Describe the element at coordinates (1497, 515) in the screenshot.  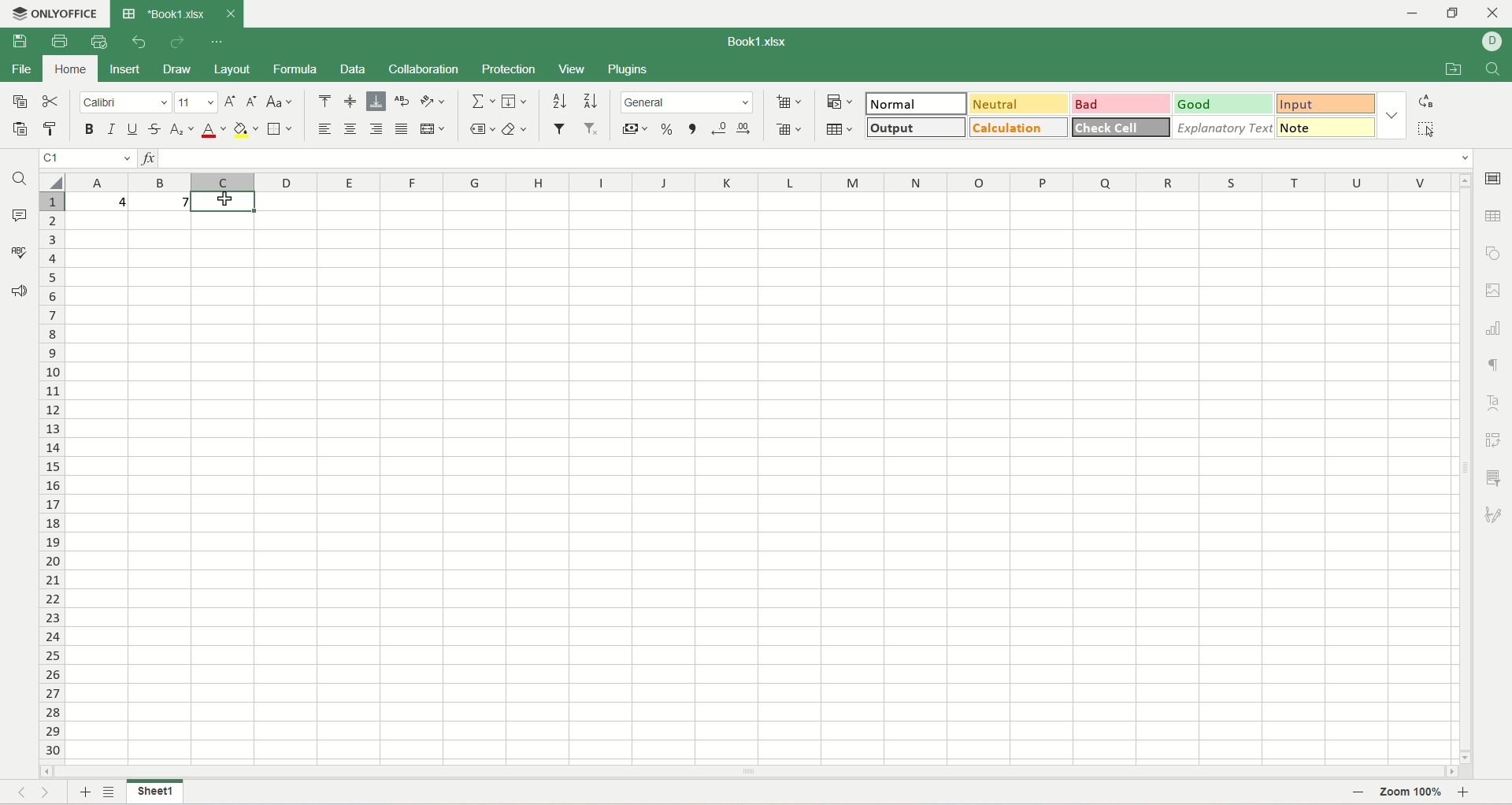
I see `signature settings` at that location.